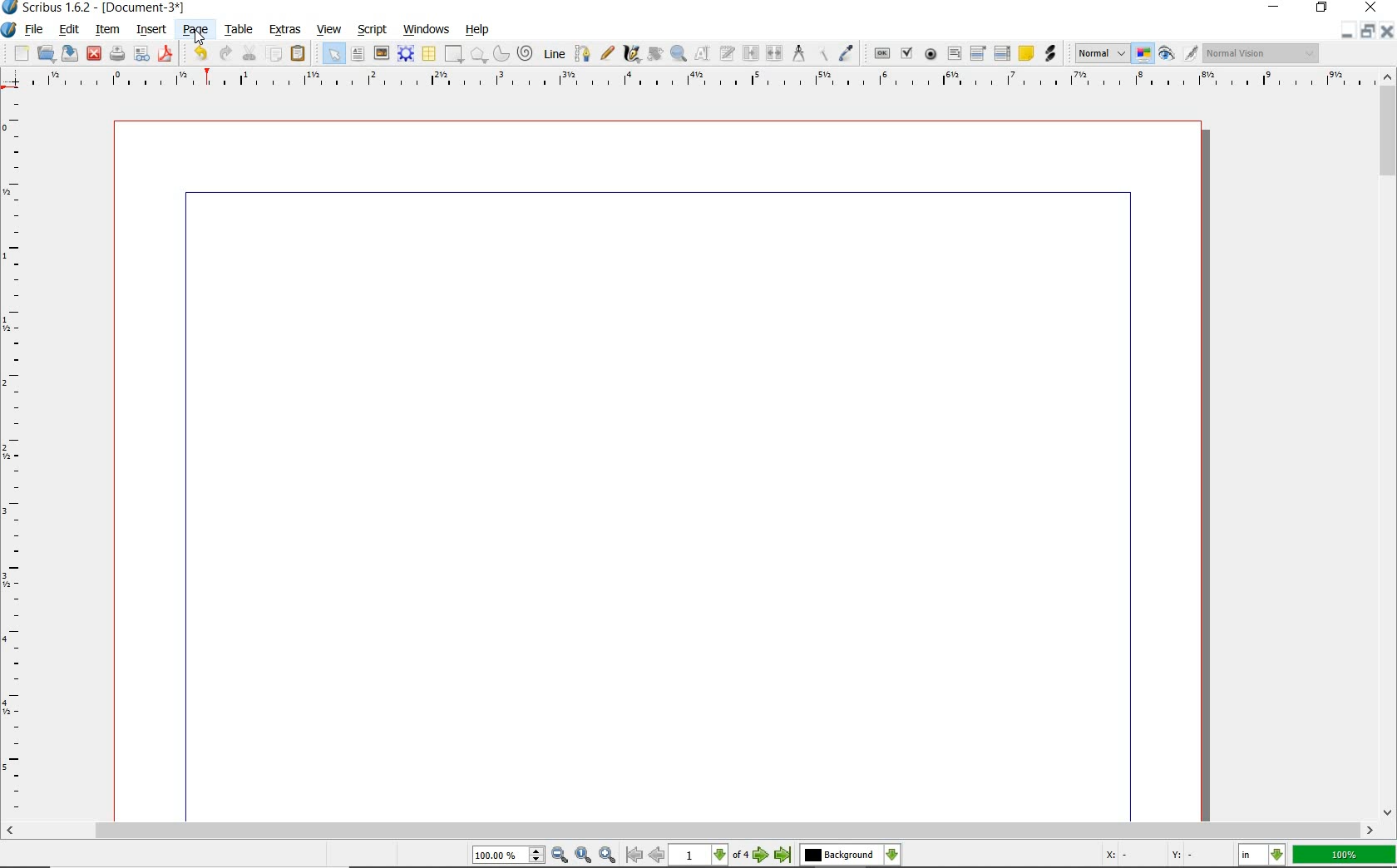  Describe the element at coordinates (1100, 52) in the screenshot. I see `select image preview mode: Normal` at that location.